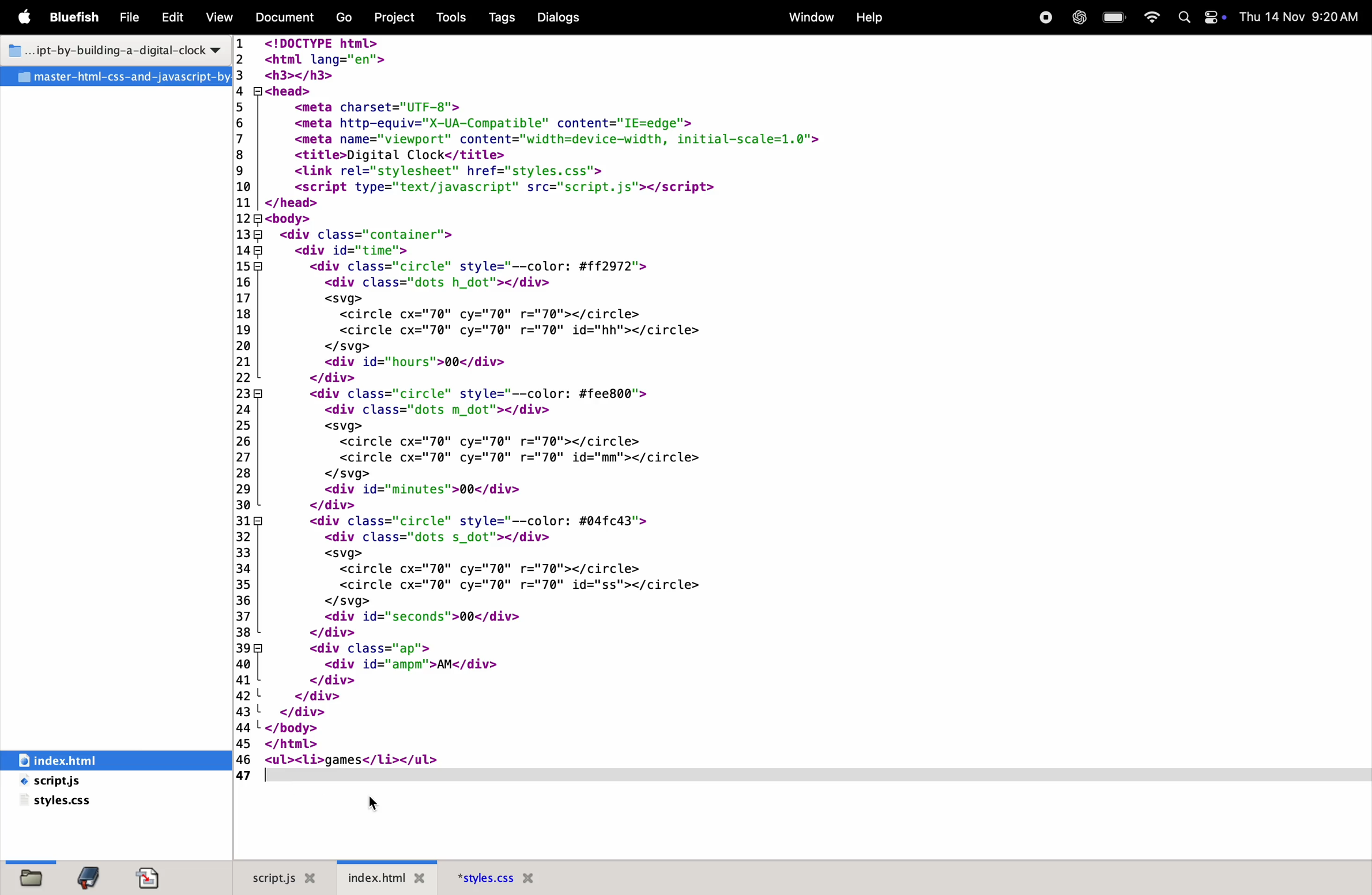 The image size is (1372, 895). Describe the element at coordinates (399, 16) in the screenshot. I see `Projects` at that location.